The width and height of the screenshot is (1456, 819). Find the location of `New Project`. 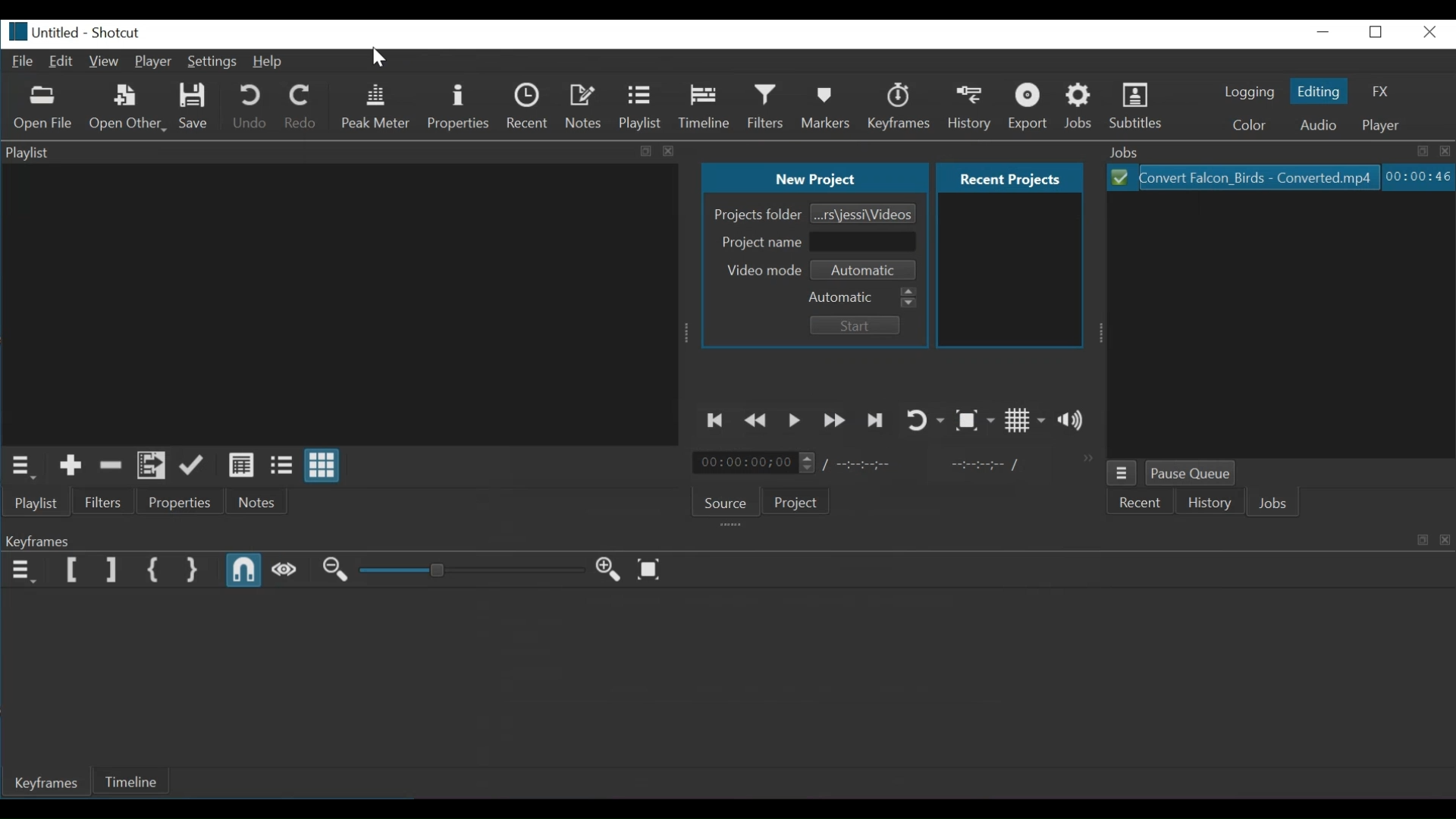

New Project is located at coordinates (811, 175).